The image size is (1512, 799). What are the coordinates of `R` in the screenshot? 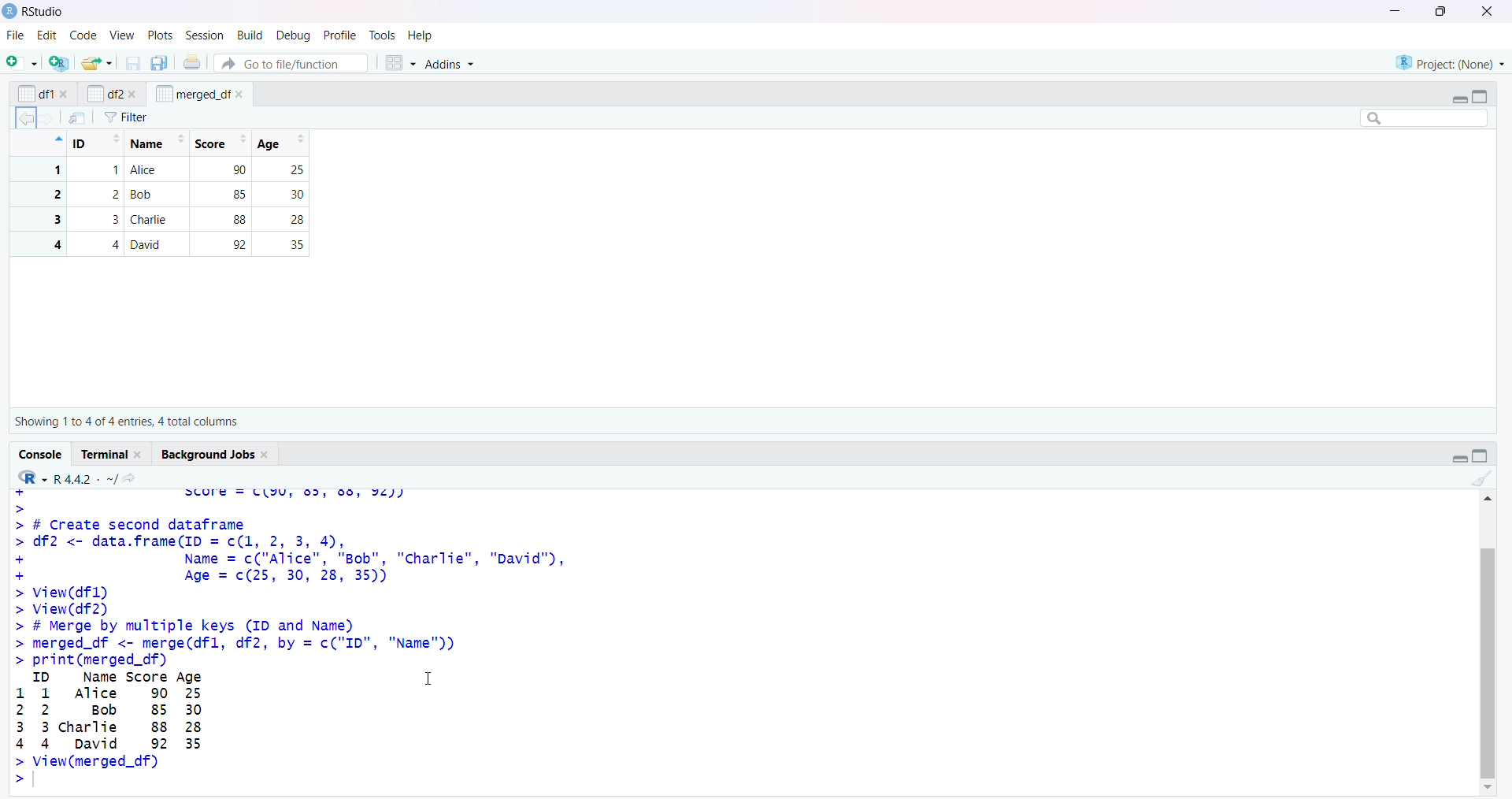 It's located at (32, 478).